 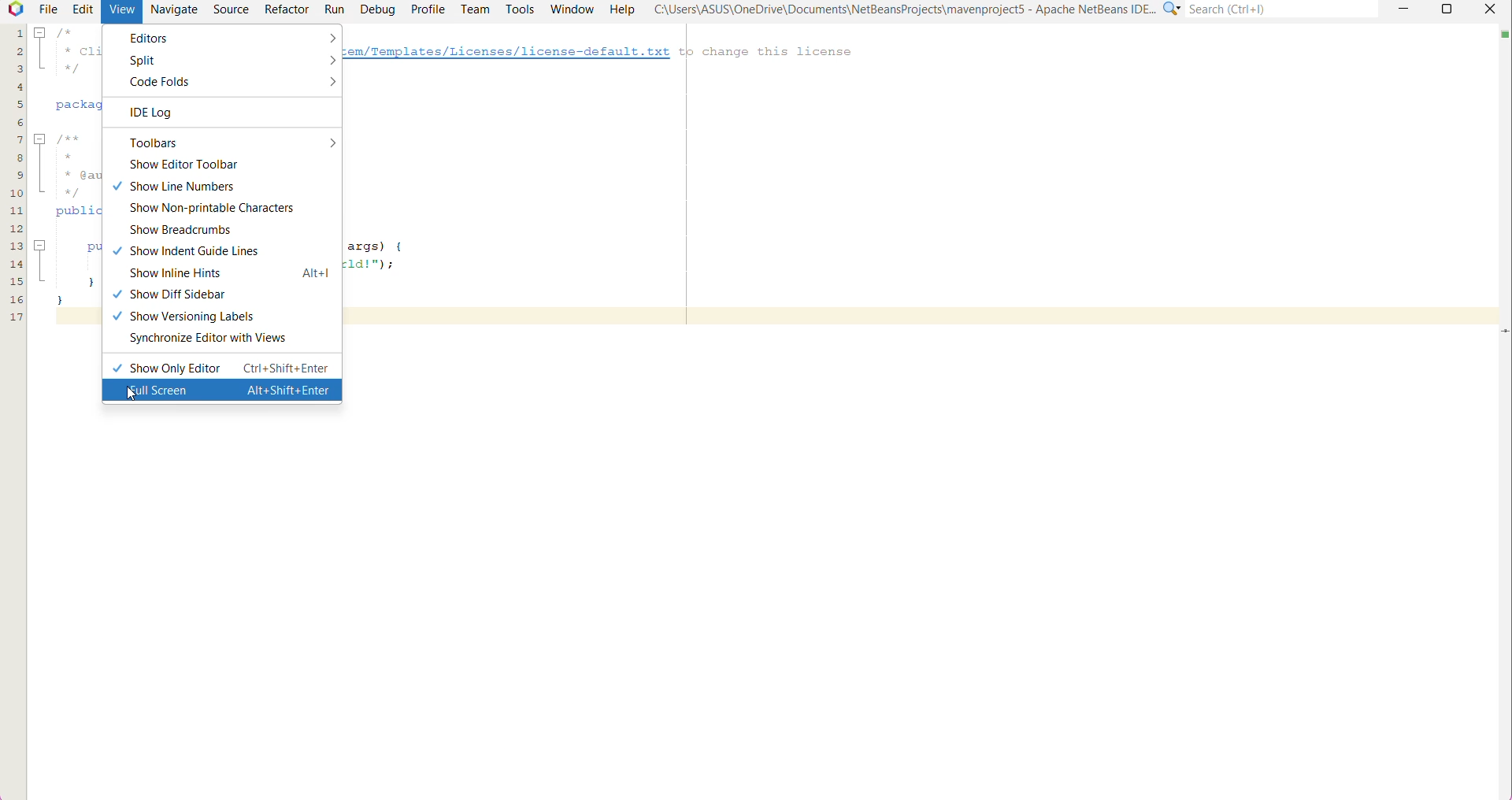 I want to click on File, so click(x=47, y=9).